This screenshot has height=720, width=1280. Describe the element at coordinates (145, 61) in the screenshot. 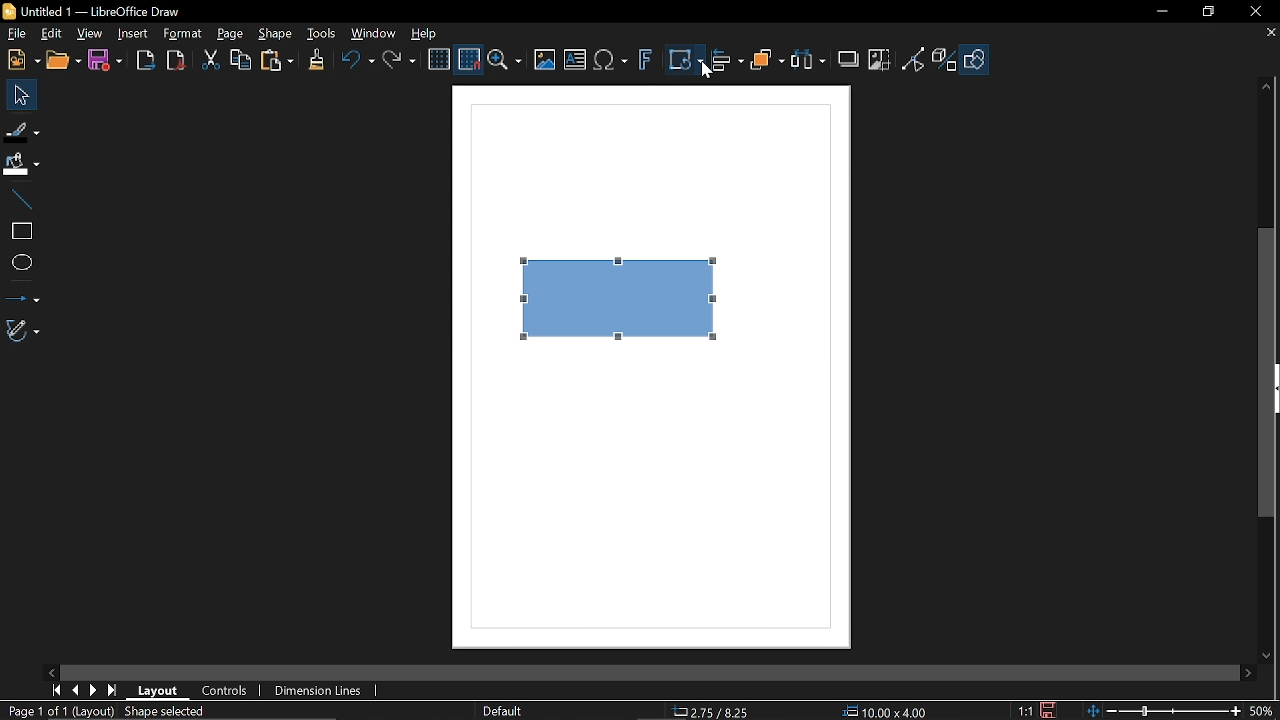

I see `Export ` at that location.